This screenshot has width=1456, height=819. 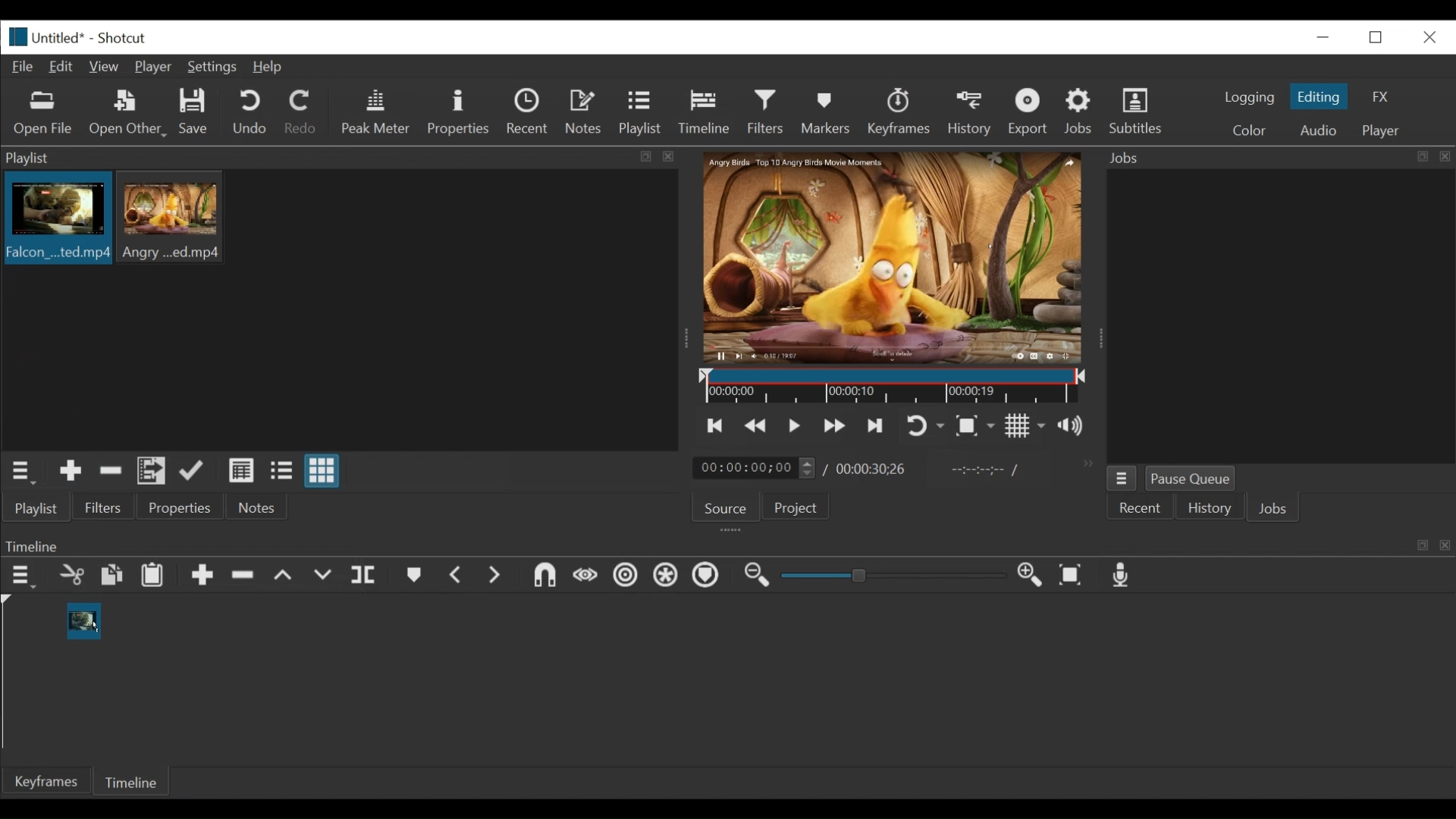 I want to click on Peak Meter, so click(x=378, y=112).